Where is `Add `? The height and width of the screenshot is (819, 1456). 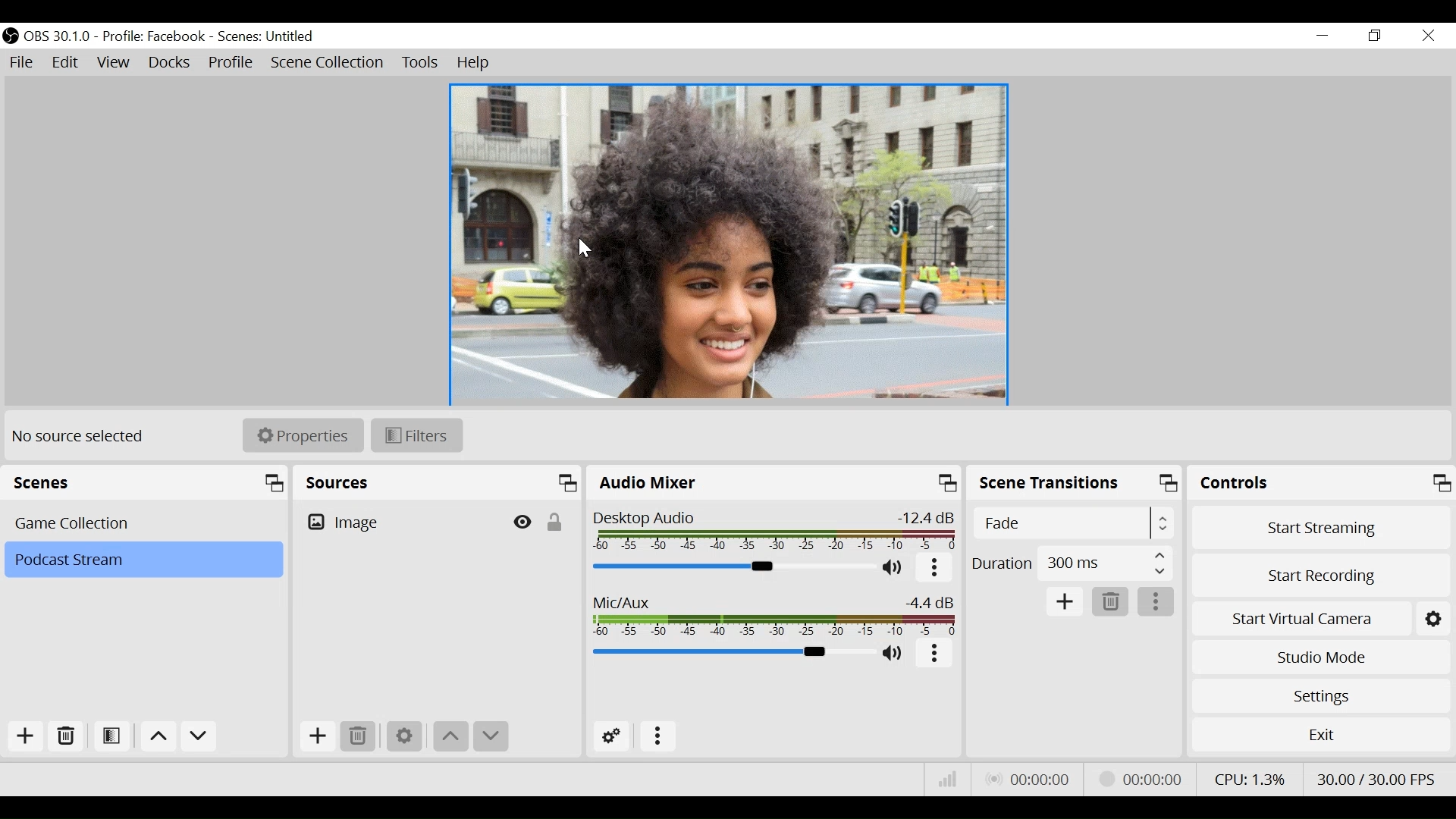
Add  is located at coordinates (26, 736).